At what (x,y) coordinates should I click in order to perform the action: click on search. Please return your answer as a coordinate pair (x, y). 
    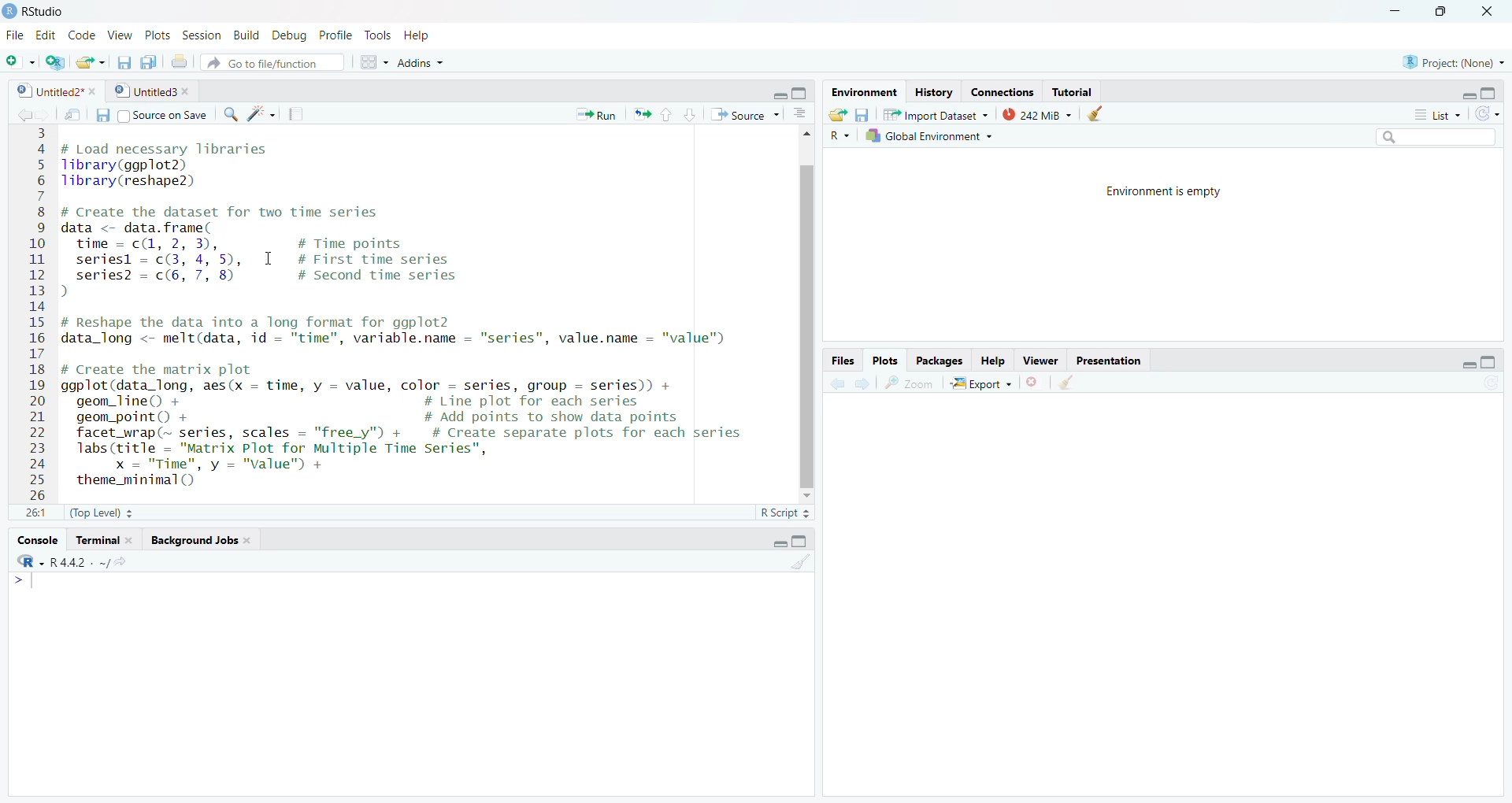
    Looking at the image, I should click on (229, 115).